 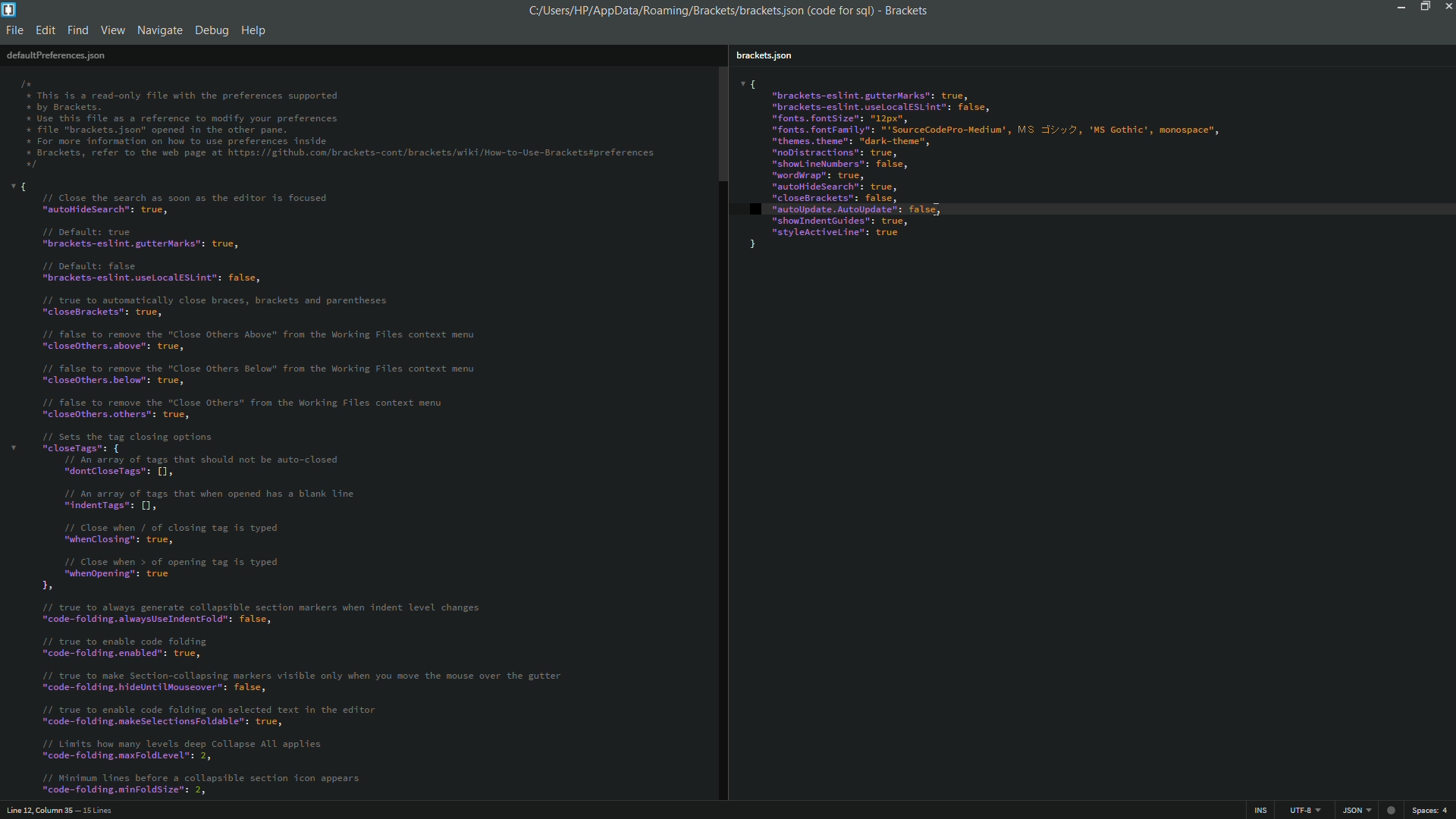 I want to click on {“brackets-eslint. gutterMarks": true,"brackets-eslint.useLocalESLint": false,“fonts. fontsize": "2px","fonts. fontFamily": "'SourceCodePro-Medium', MS =i/y 2, 'MS Gothic’, monospace",“themes. theme": "dark-thene",“noDistractions": true,“shoul inetumbers": false,“wordwrap": true,“autoitidesearch®; true,"closeBrackets": false,“autoUpdate. AutoUpdate": falsd]“showlndentGuides": true,“styleActiveline"s true}, so click(x=1084, y=165).